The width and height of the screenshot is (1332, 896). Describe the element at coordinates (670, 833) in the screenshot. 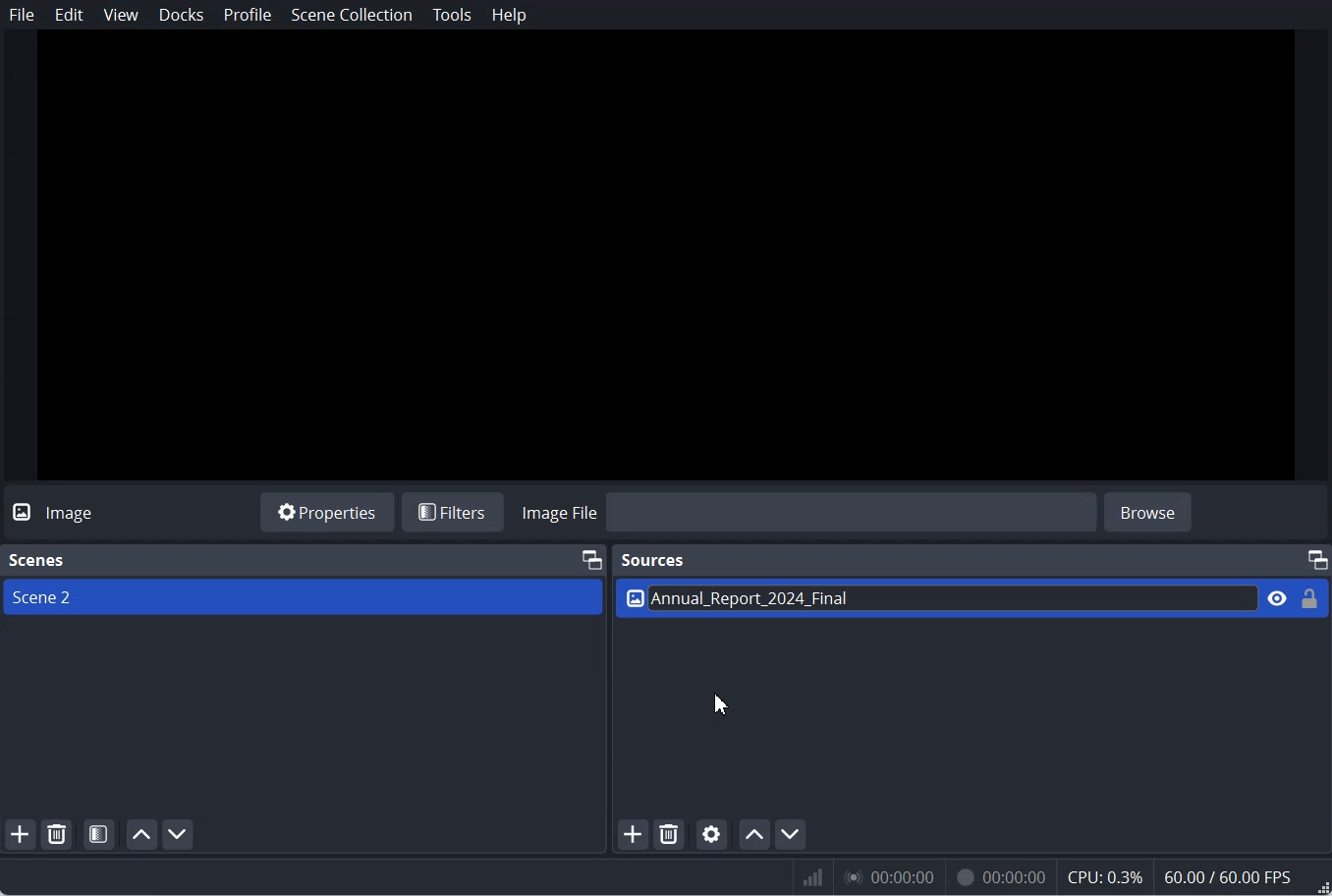

I see `Remove selected Source` at that location.